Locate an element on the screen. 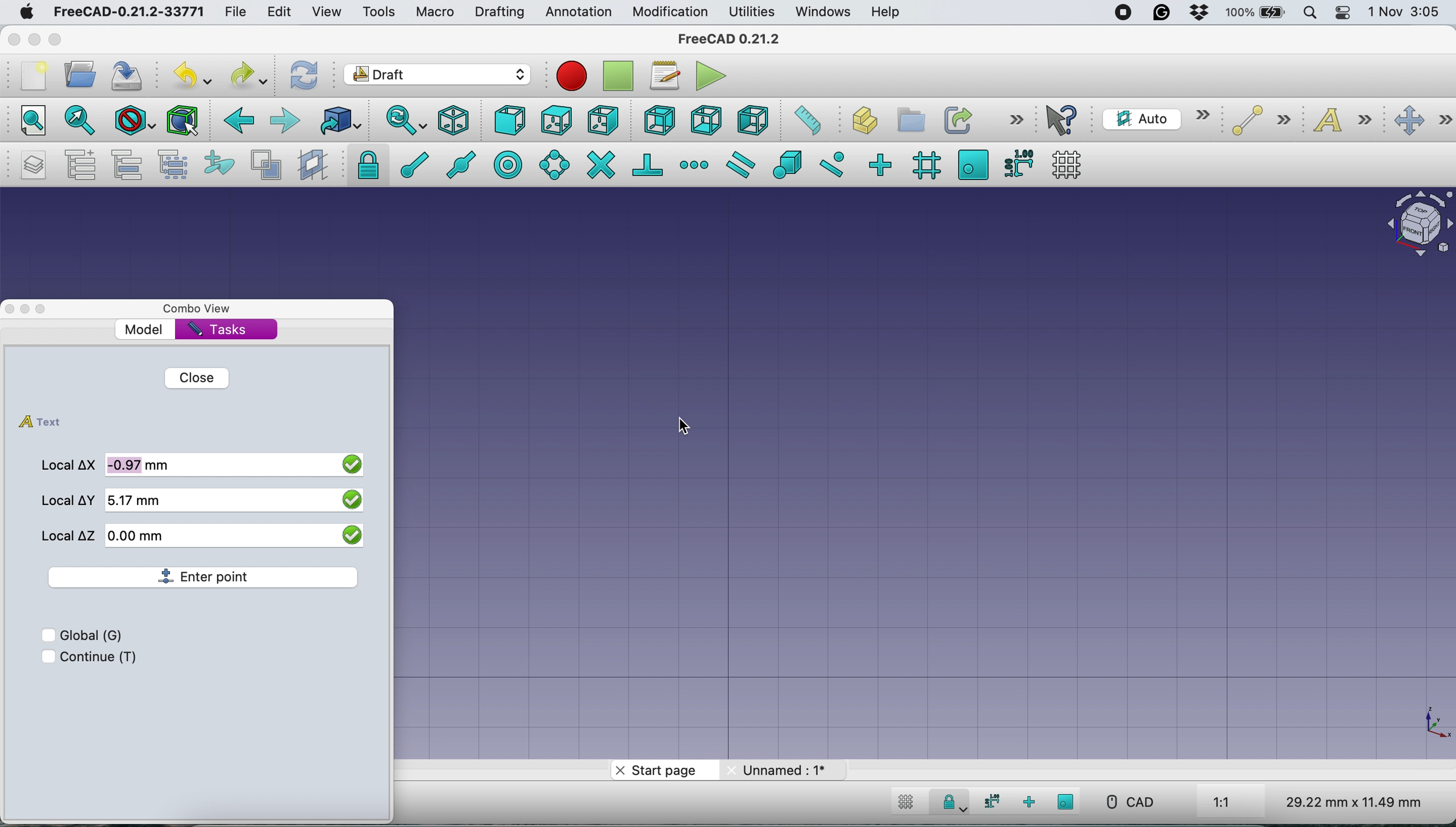 Image resolution: width=1456 pixels, height=827 pixels. snap ortho is located at coordinates (881, 164).